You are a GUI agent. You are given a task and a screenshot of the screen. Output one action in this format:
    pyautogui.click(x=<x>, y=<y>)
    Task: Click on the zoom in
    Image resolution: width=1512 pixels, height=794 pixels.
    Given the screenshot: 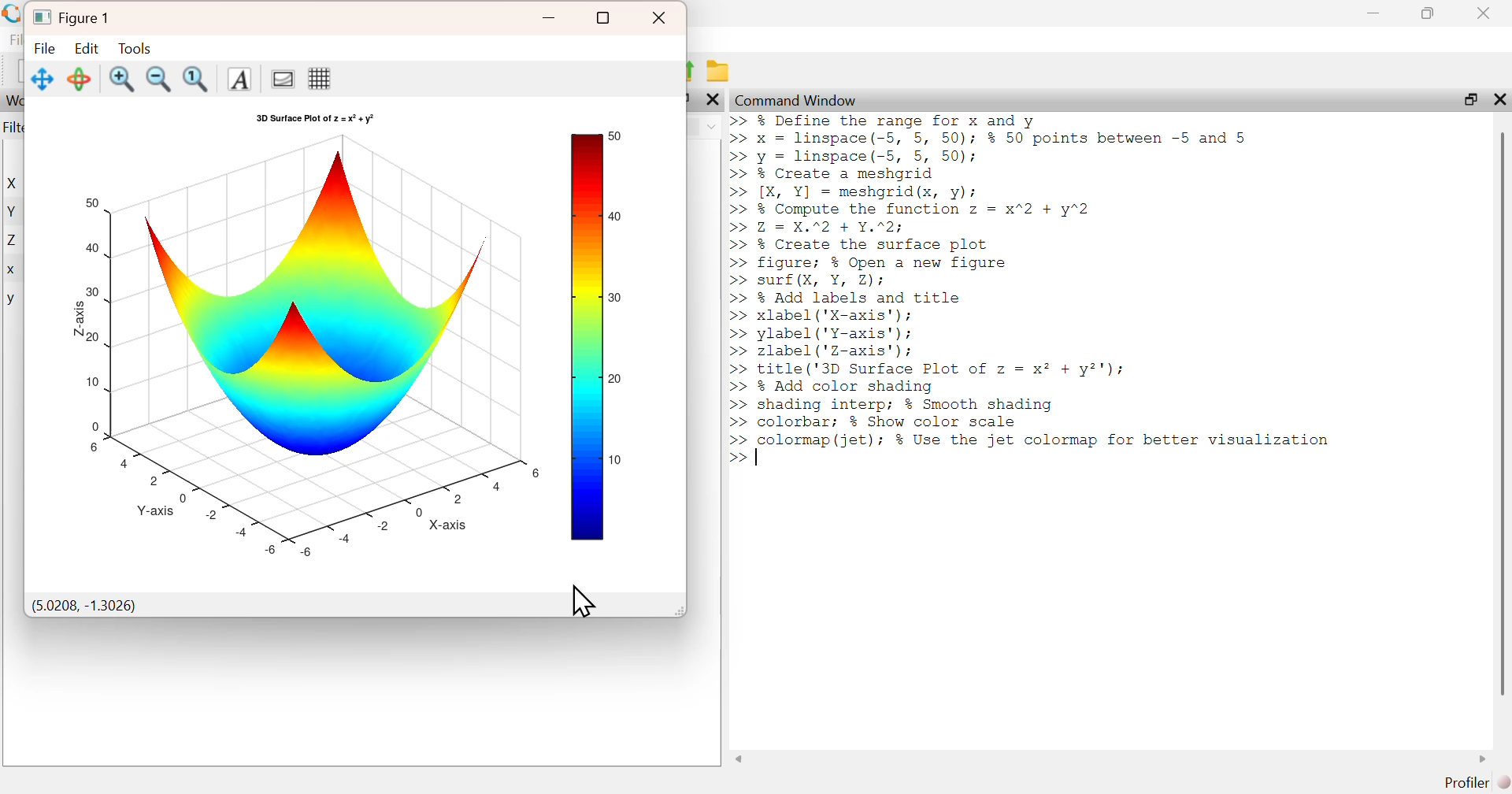 What is the action you would take?
    pyautogui.click(x=122, y=79)
    